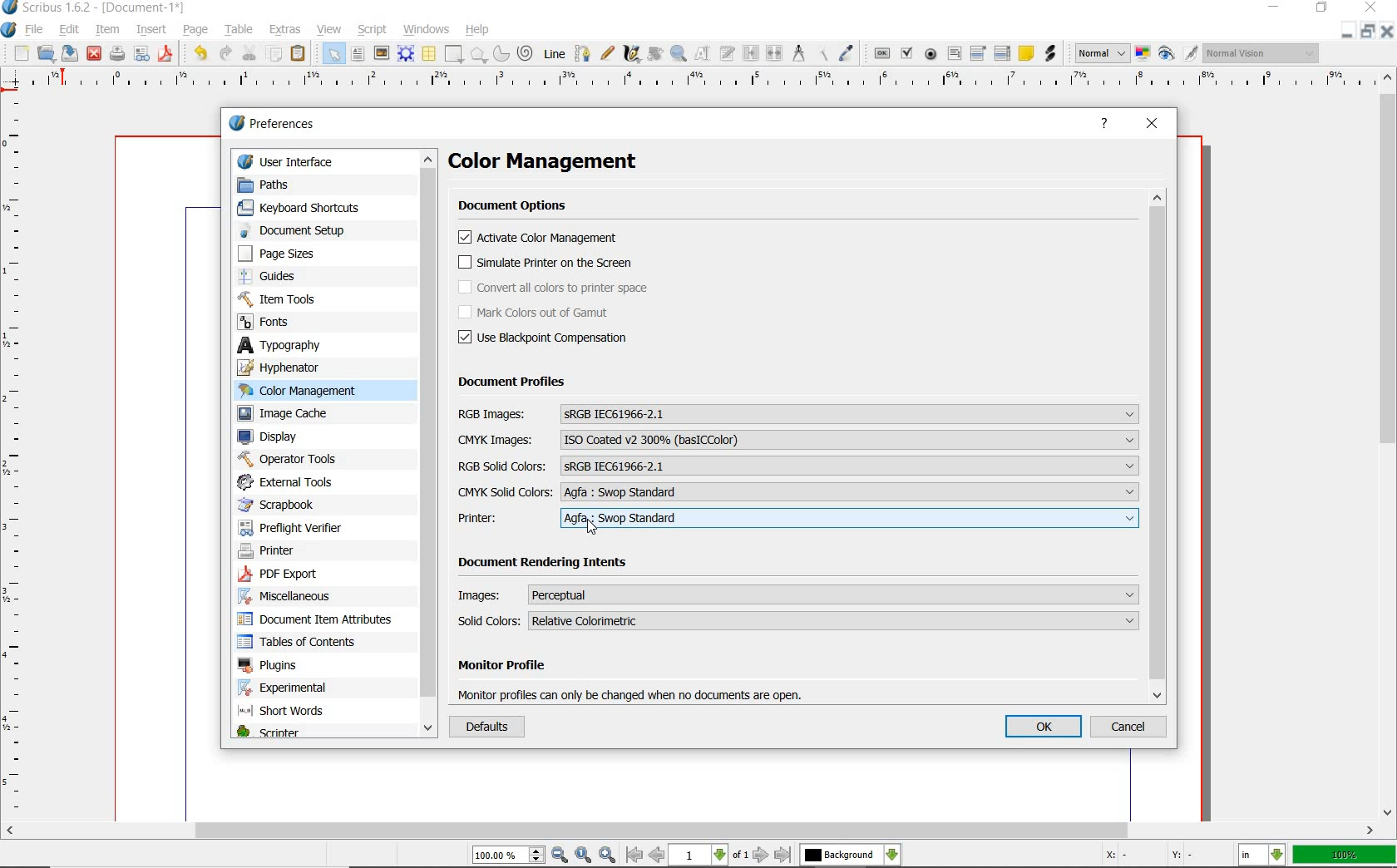 This screenshot has height=868, width=1397. Describe the element at coordinates (954, 53) in the screenshot. I see `pdf text field` at that location.